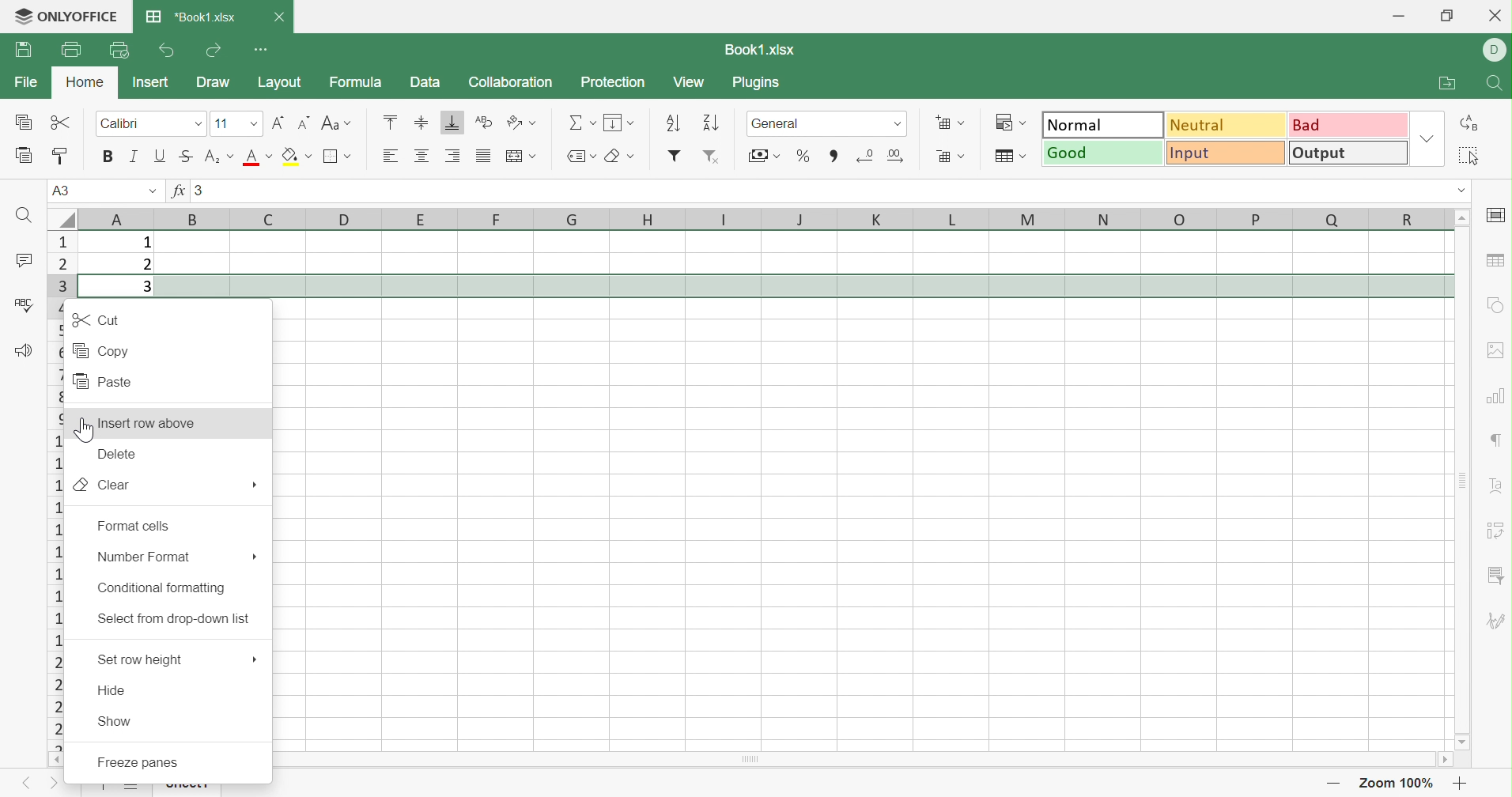 This screenshot has width=1512, height=797. Describe the element at coordinates (1495, 398) in the screenshot. I see `Chart settings` at that location.